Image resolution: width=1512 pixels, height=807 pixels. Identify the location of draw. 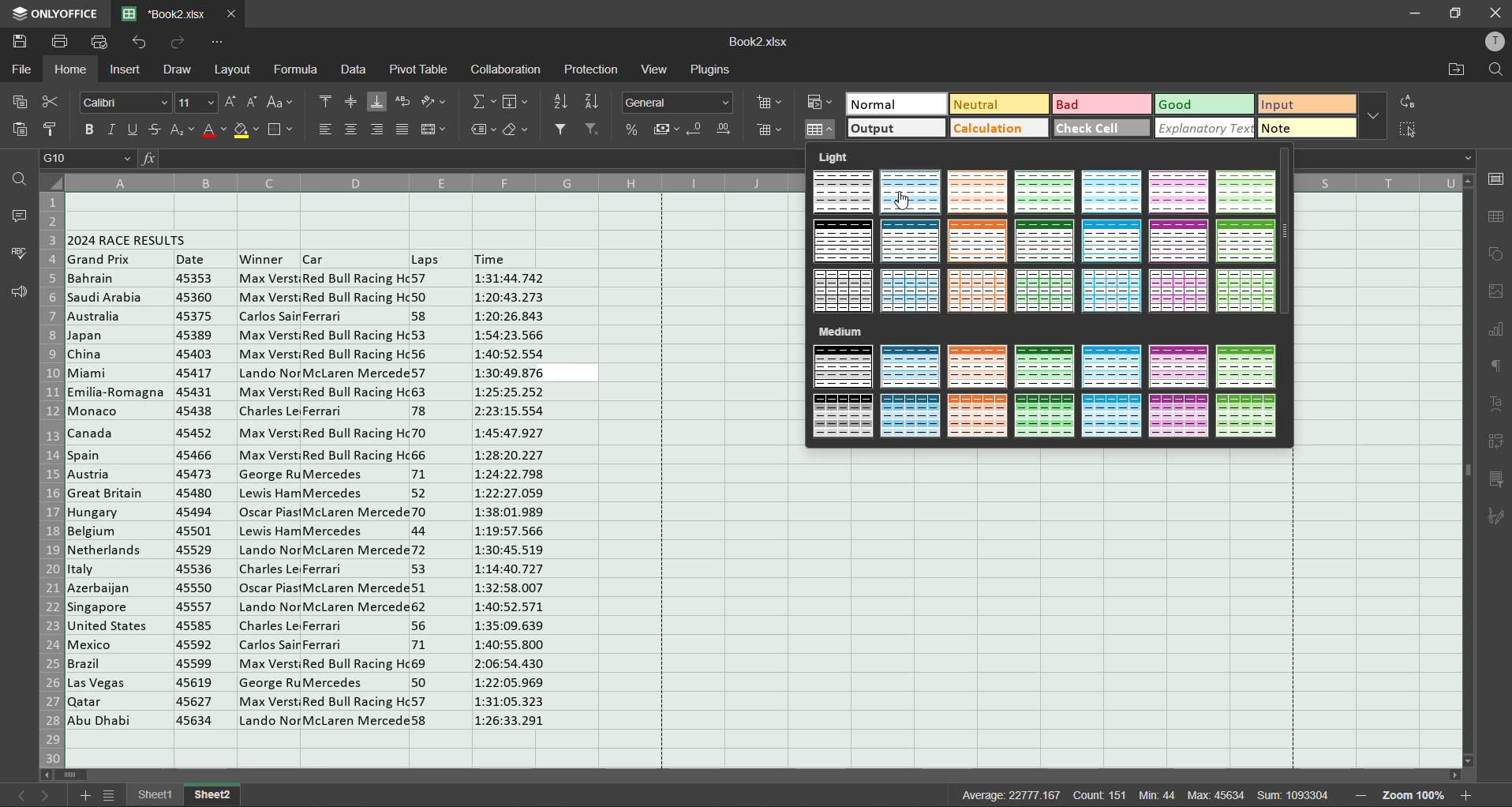
(178, 72).